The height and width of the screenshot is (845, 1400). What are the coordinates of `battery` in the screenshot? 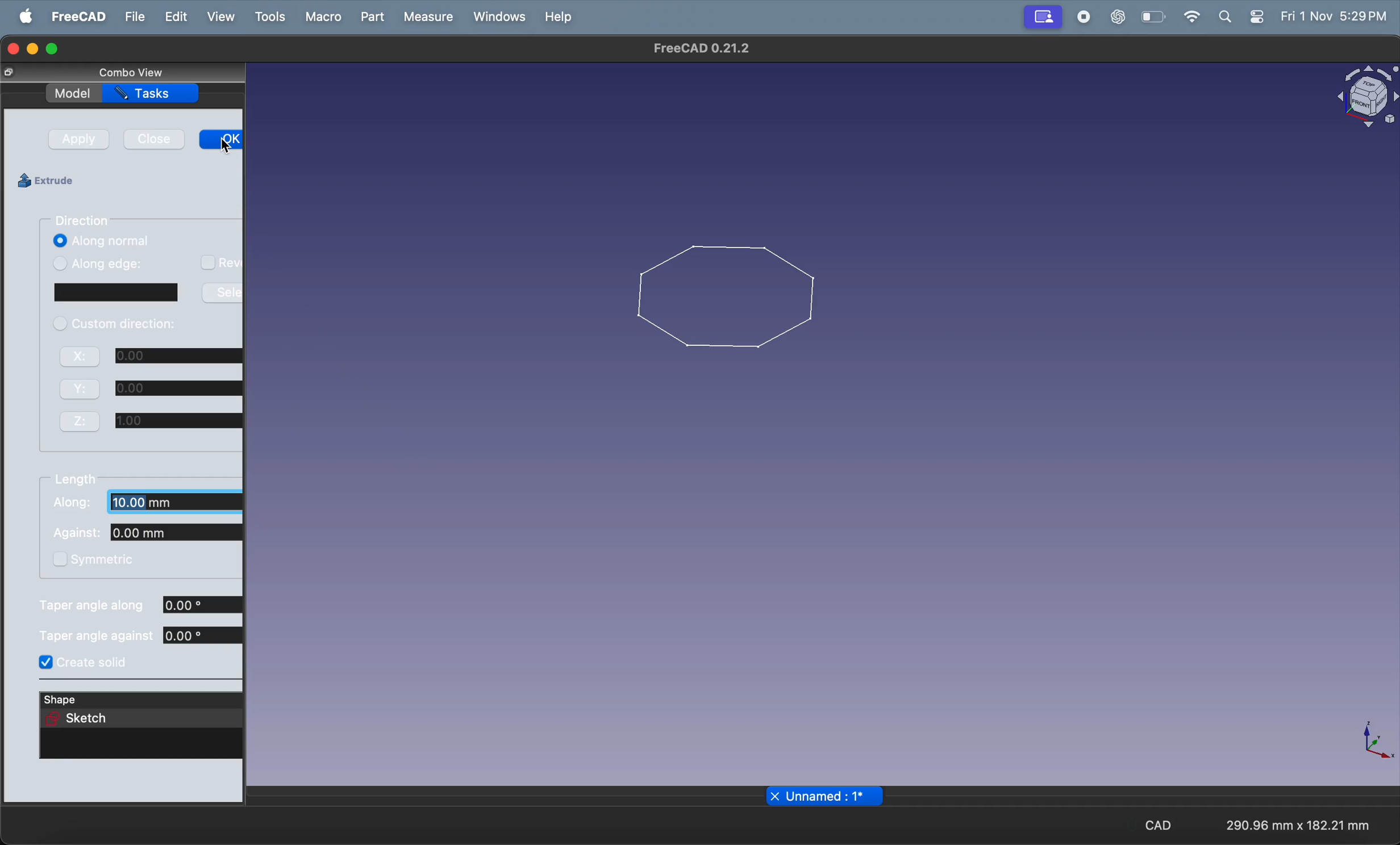 It's located at (1152, 18).